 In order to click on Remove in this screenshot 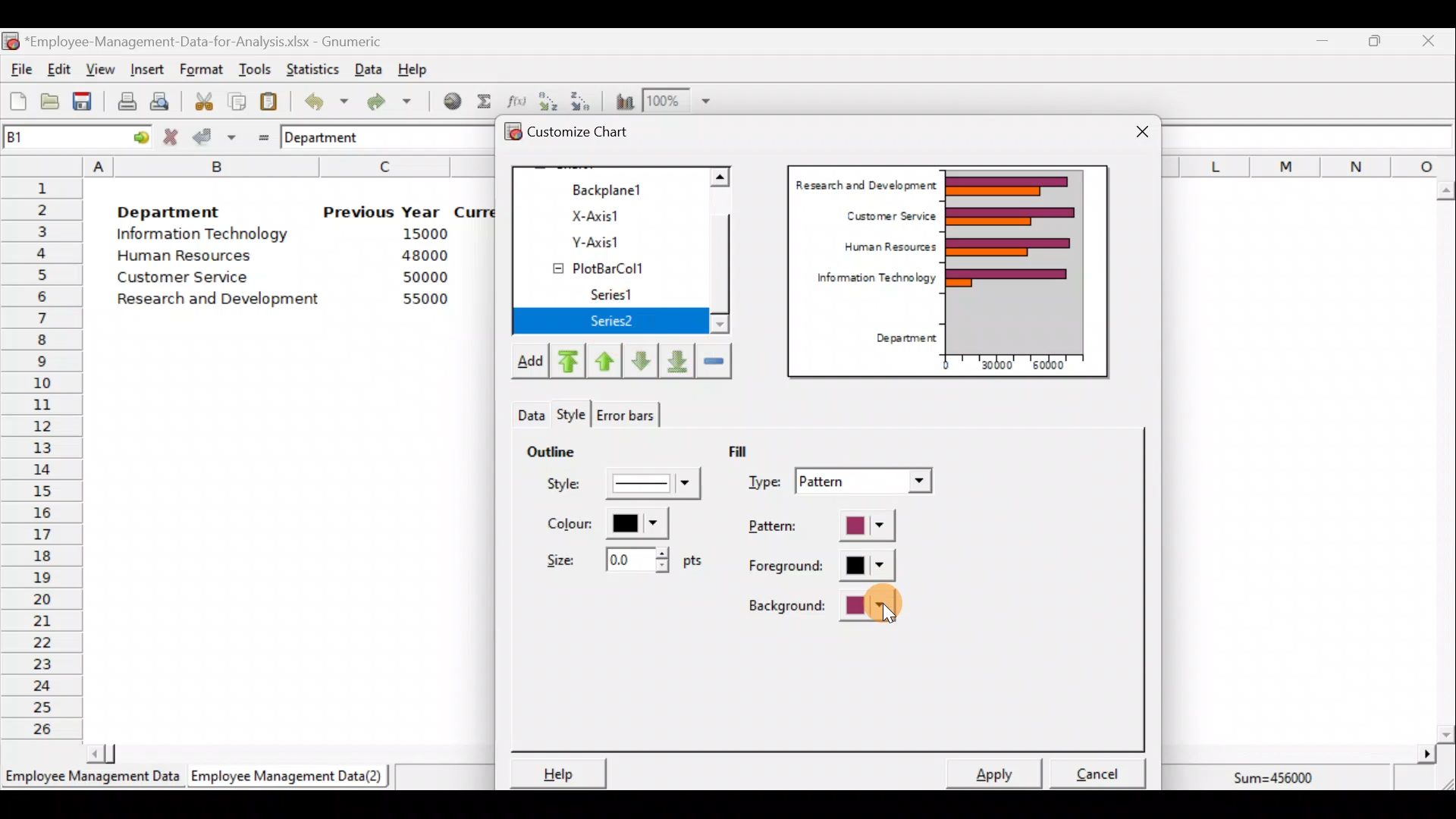, I will do `click(714, 359)`.